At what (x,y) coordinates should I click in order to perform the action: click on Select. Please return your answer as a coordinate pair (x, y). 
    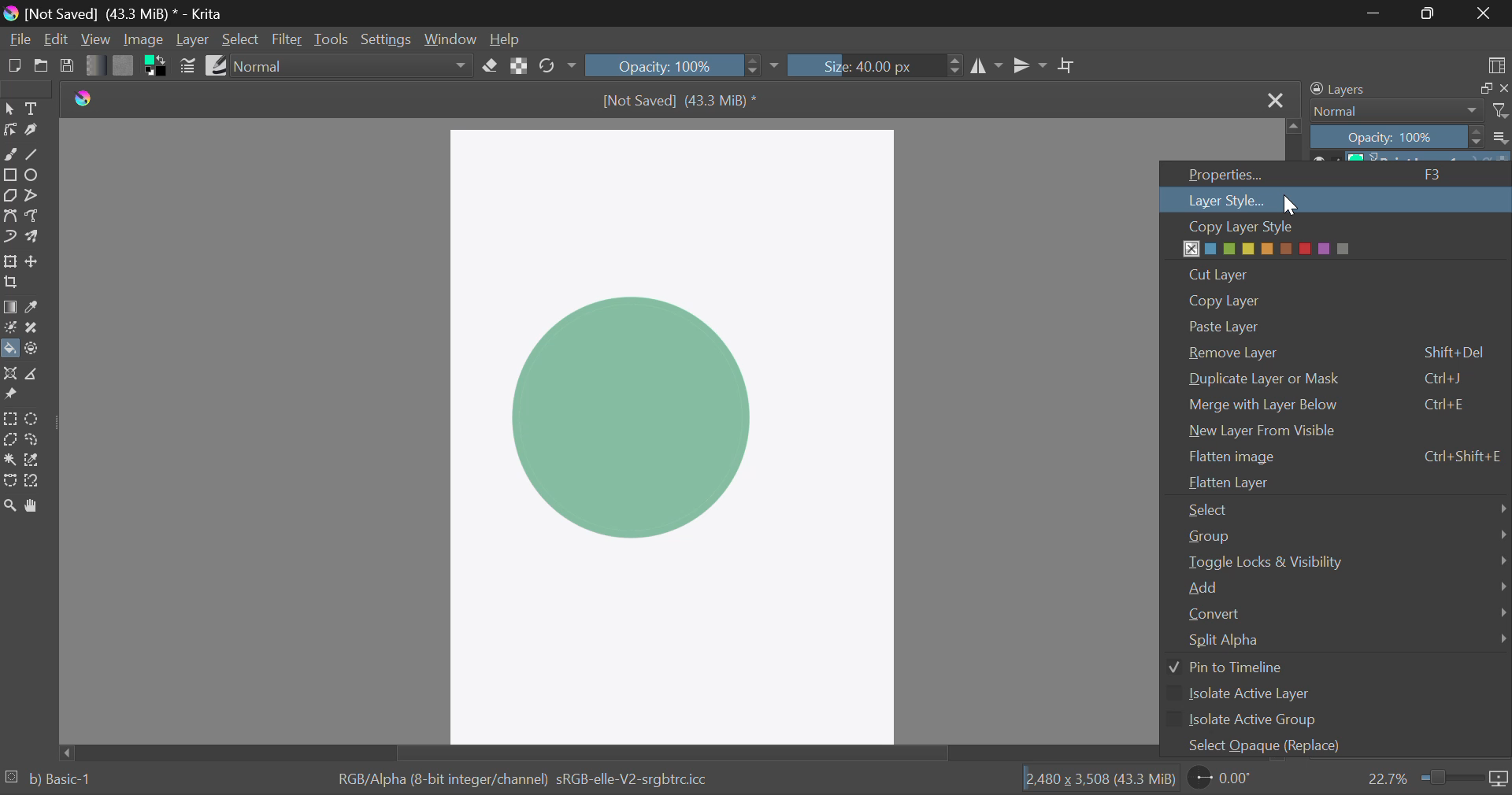
    Looking at the image, I should click on (241, 39).